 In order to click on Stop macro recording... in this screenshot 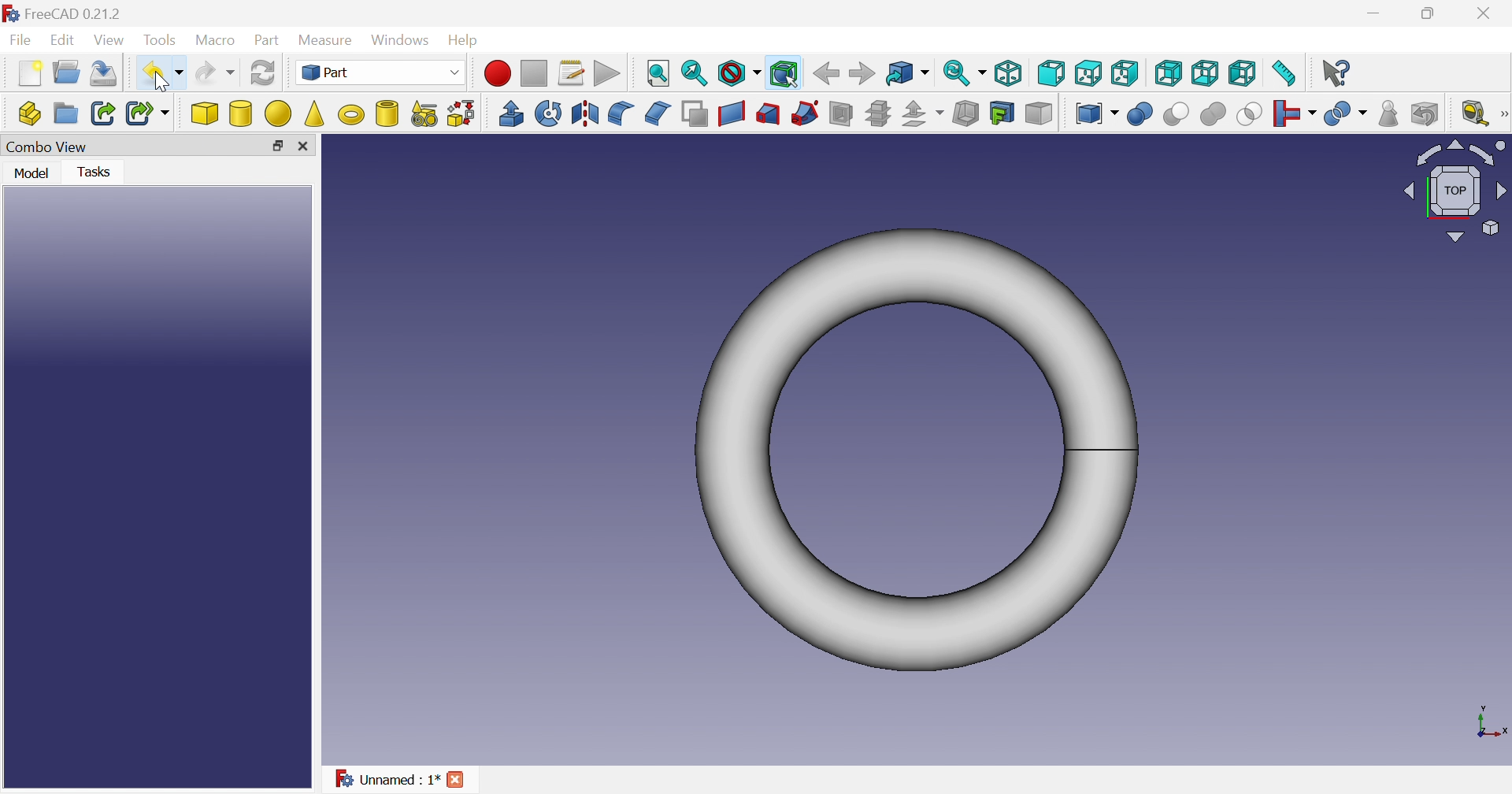, I will do `click(535, 74)`.